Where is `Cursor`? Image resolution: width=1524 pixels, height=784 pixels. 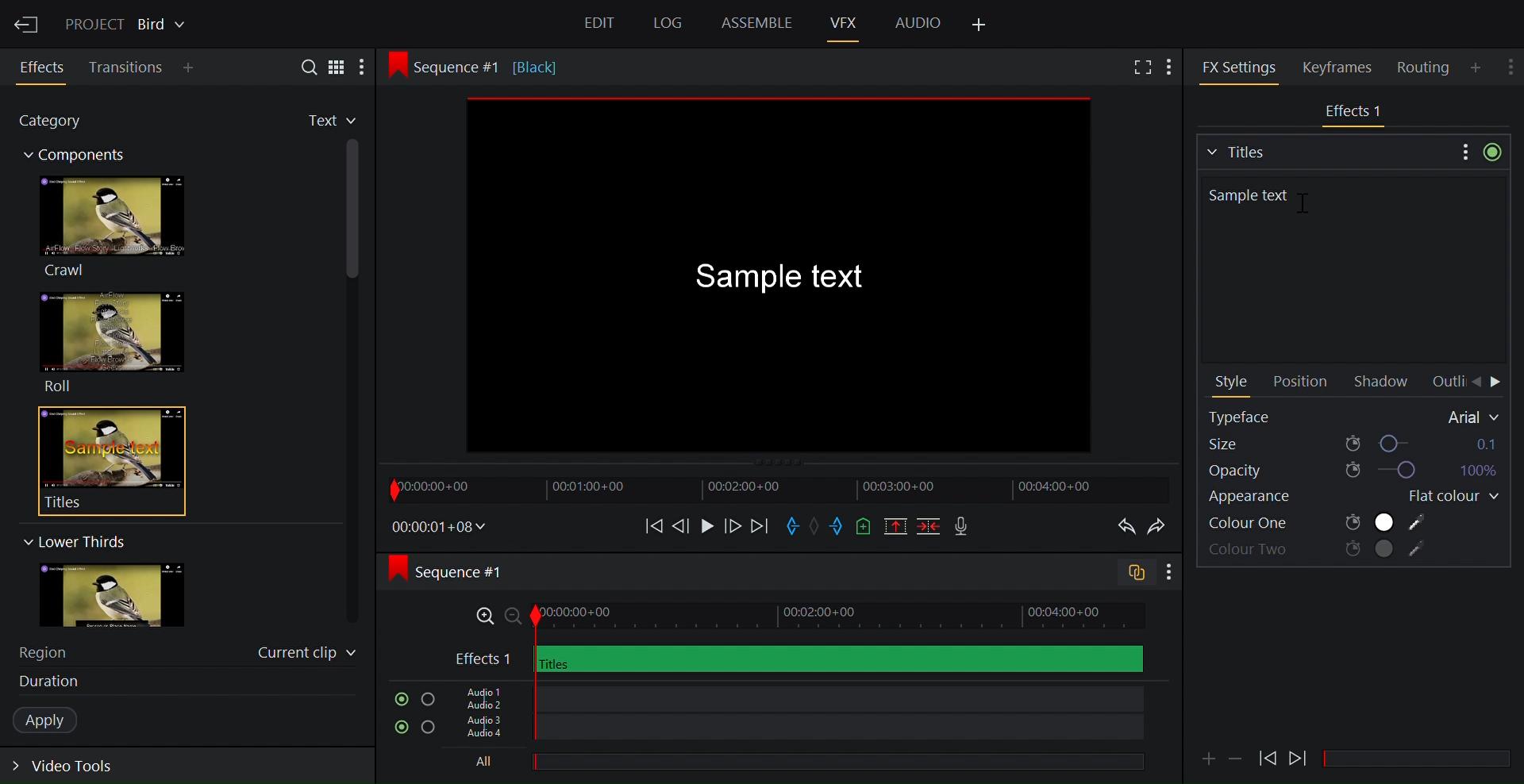
Cursor is located at coordinates (1294, 194).